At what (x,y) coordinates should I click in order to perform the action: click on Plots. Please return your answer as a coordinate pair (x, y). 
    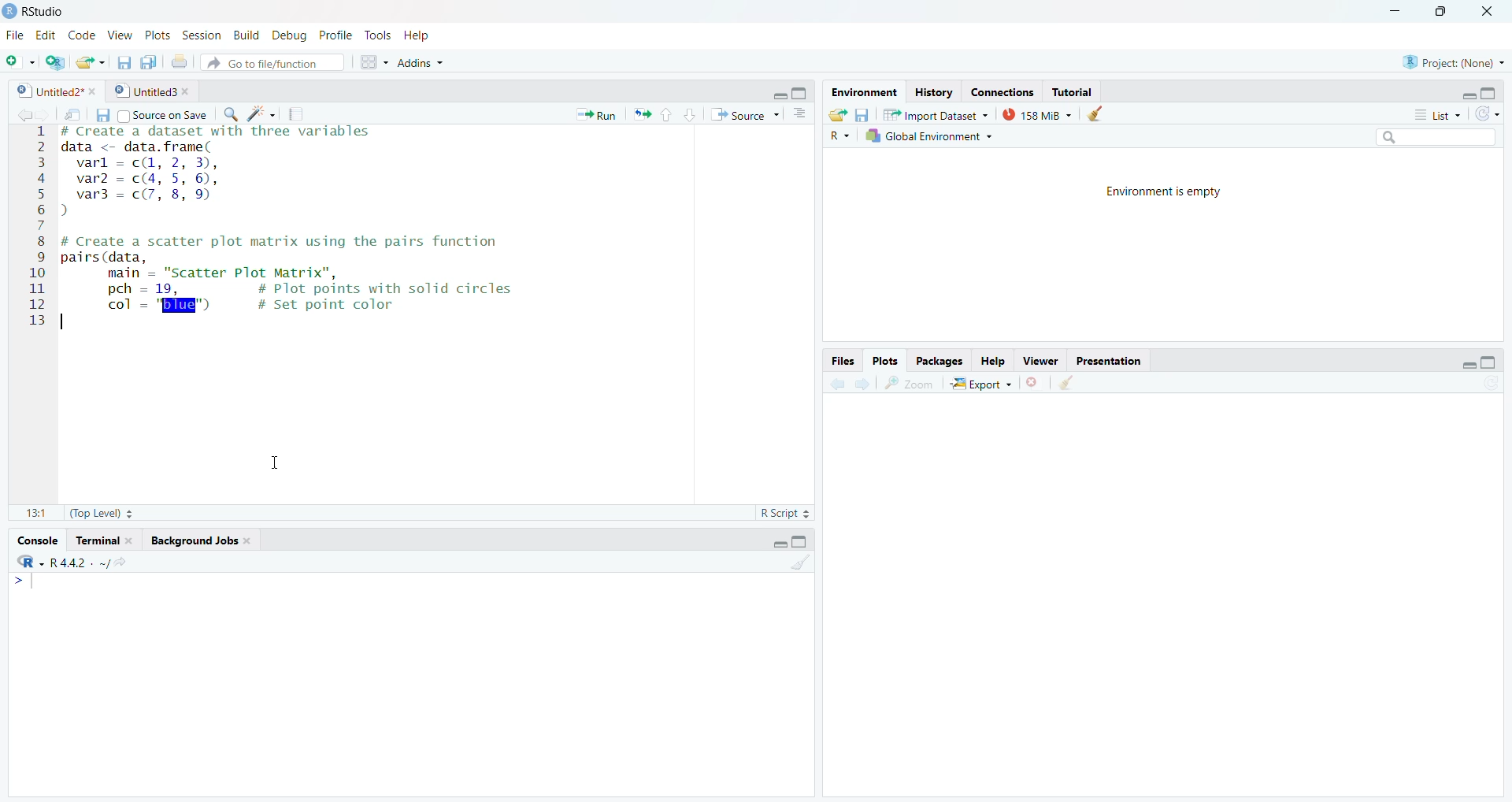
    Looking at the image, I should click on (157, 34).